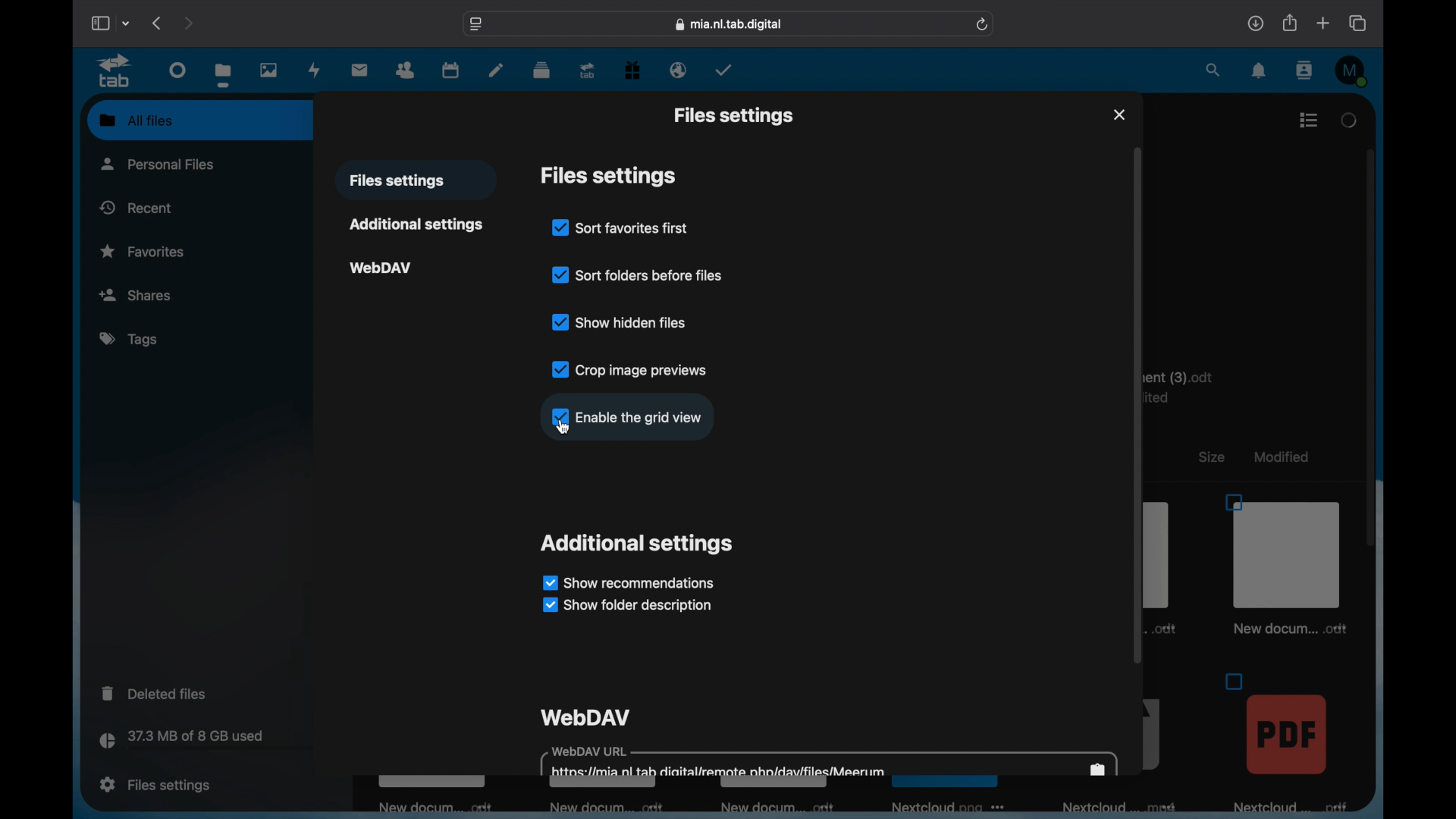 This screenshot has width=1456, height=819. Describe the element at coordinates (224, 74) in the screenshot. I see `files` at that location.